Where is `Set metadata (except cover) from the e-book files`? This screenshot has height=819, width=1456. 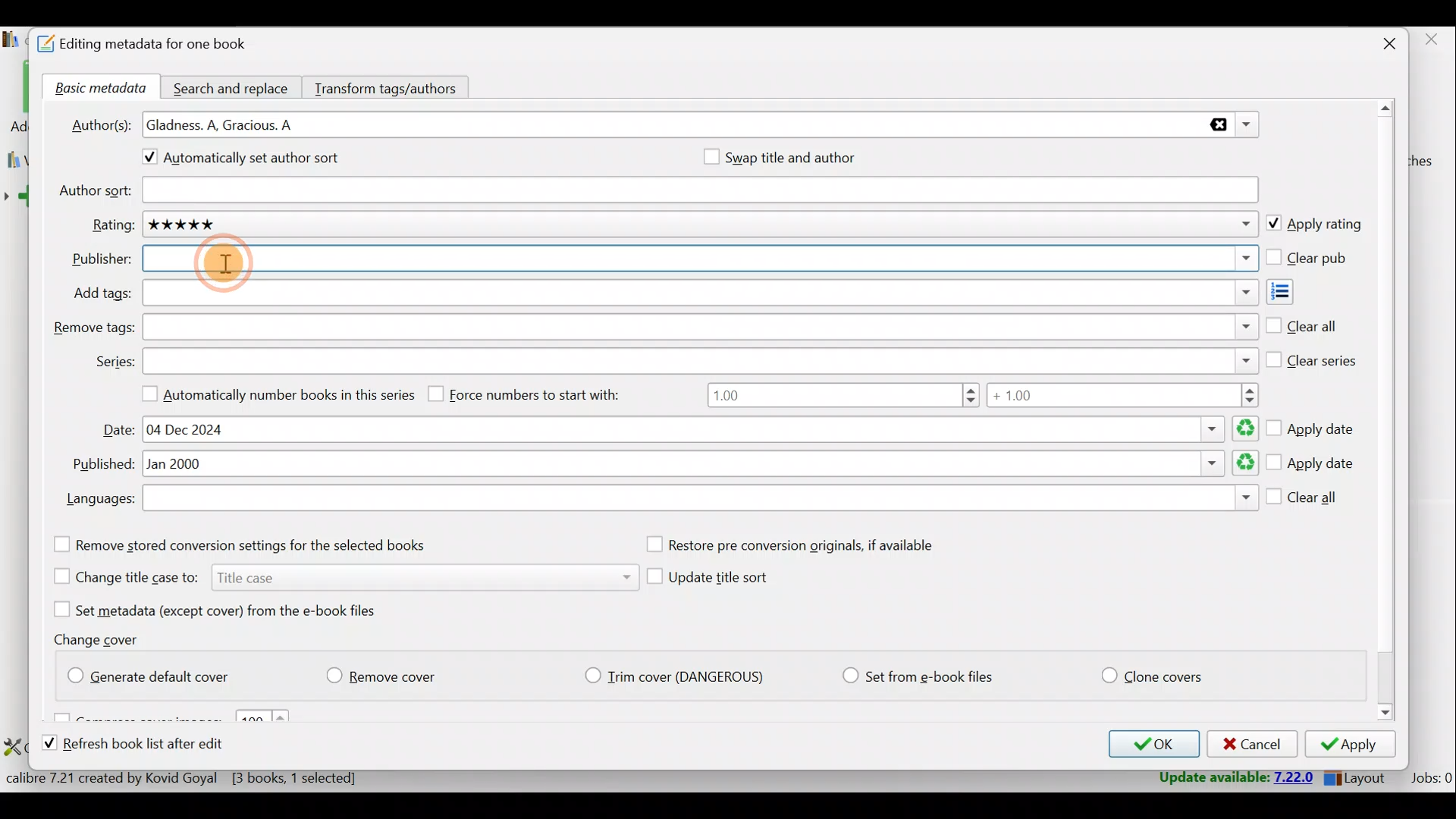 Set metadata (except cover) from the e-book files is located at coordinates (234, 609).